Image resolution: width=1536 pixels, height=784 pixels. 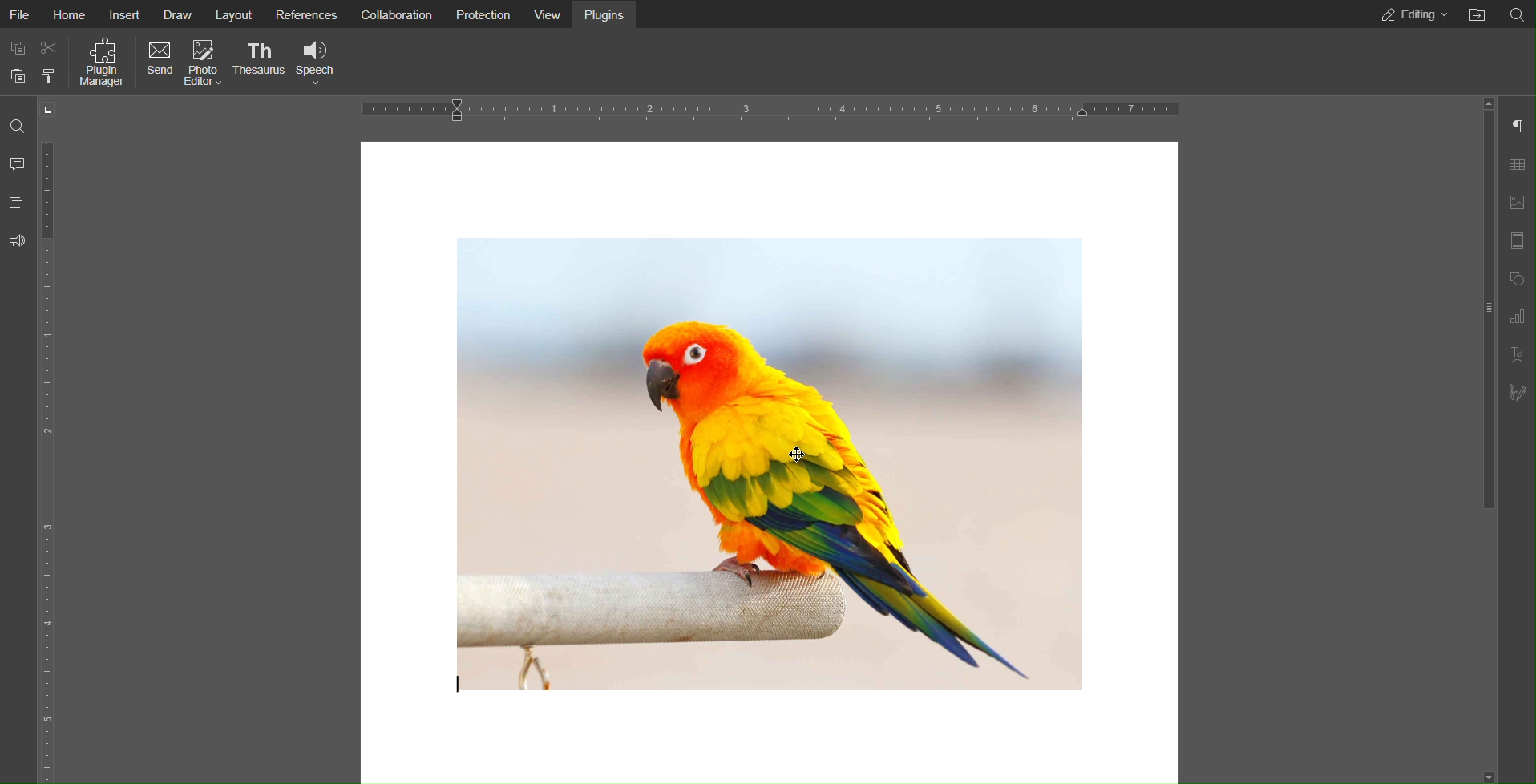 I want to click on Plugins, so click(x=606, y=14).